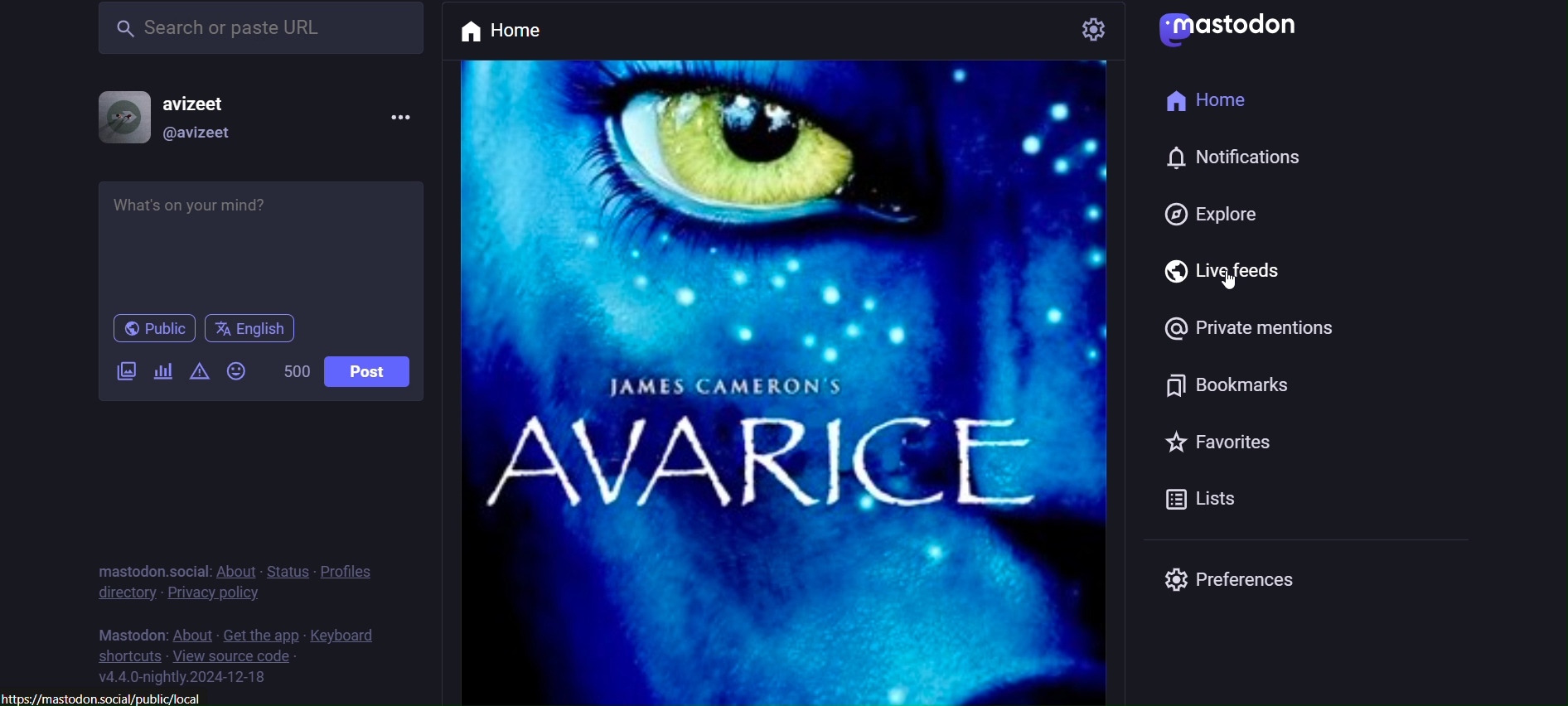 Image resolution: width=1568 pixels, height=706 pixels. What do you see at coordinates (1217, 277) in the screenshot?
I see `live feeds` at bounding box center [1217, 277].